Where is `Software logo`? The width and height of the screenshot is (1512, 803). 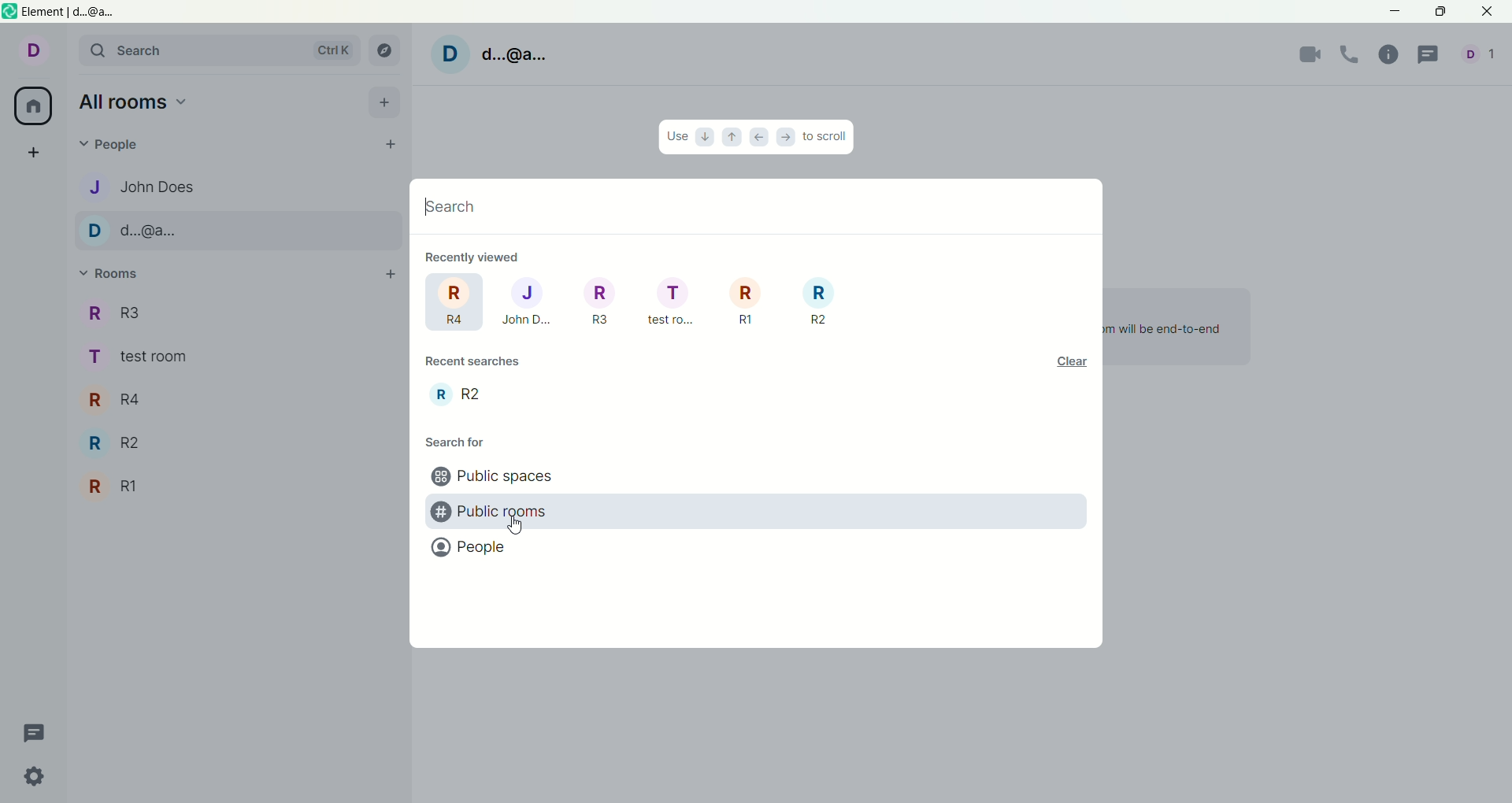
Software logo is located at coordinates (9, 11).